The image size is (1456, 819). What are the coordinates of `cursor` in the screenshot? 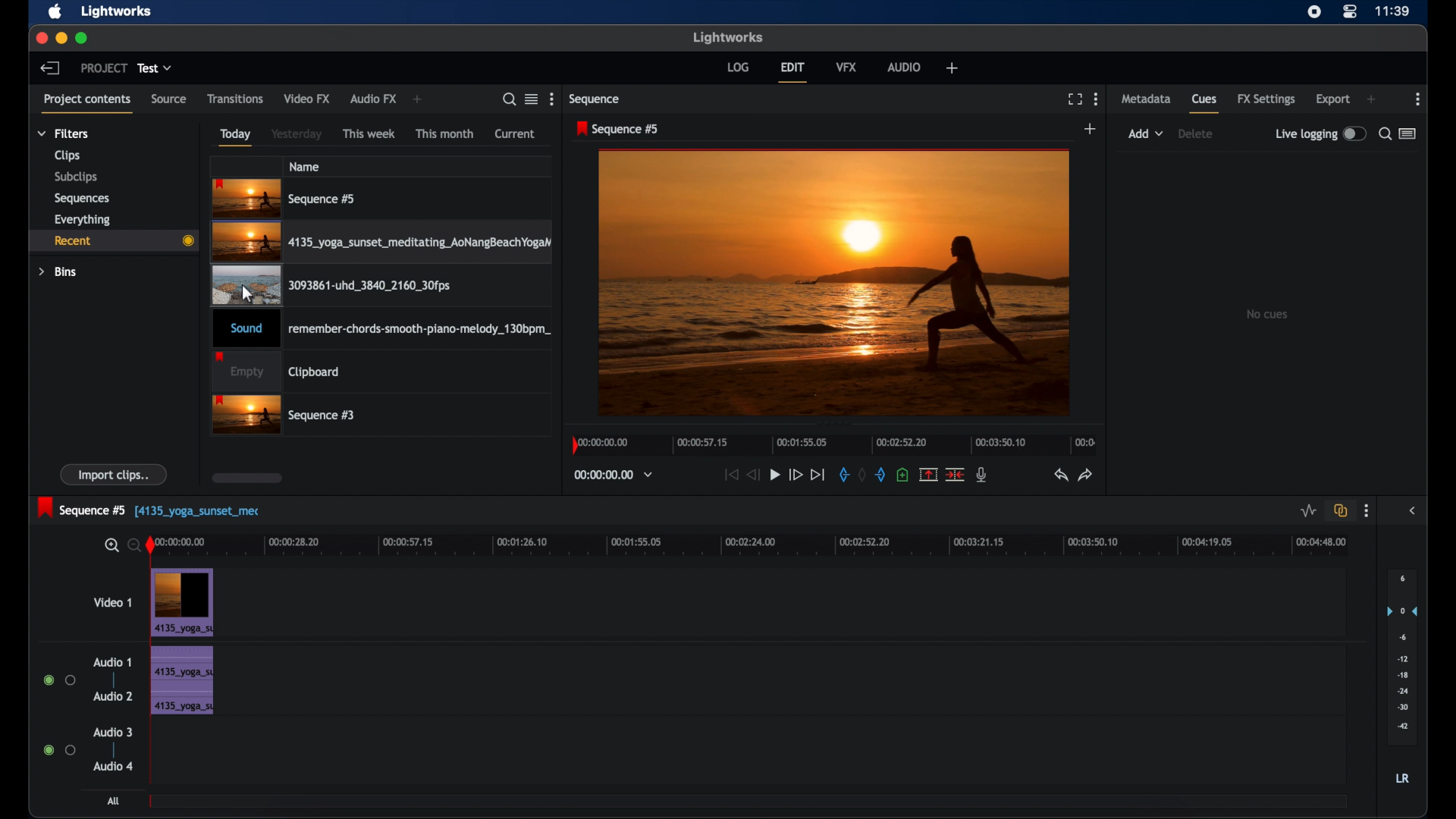 It's located at (249, 293).